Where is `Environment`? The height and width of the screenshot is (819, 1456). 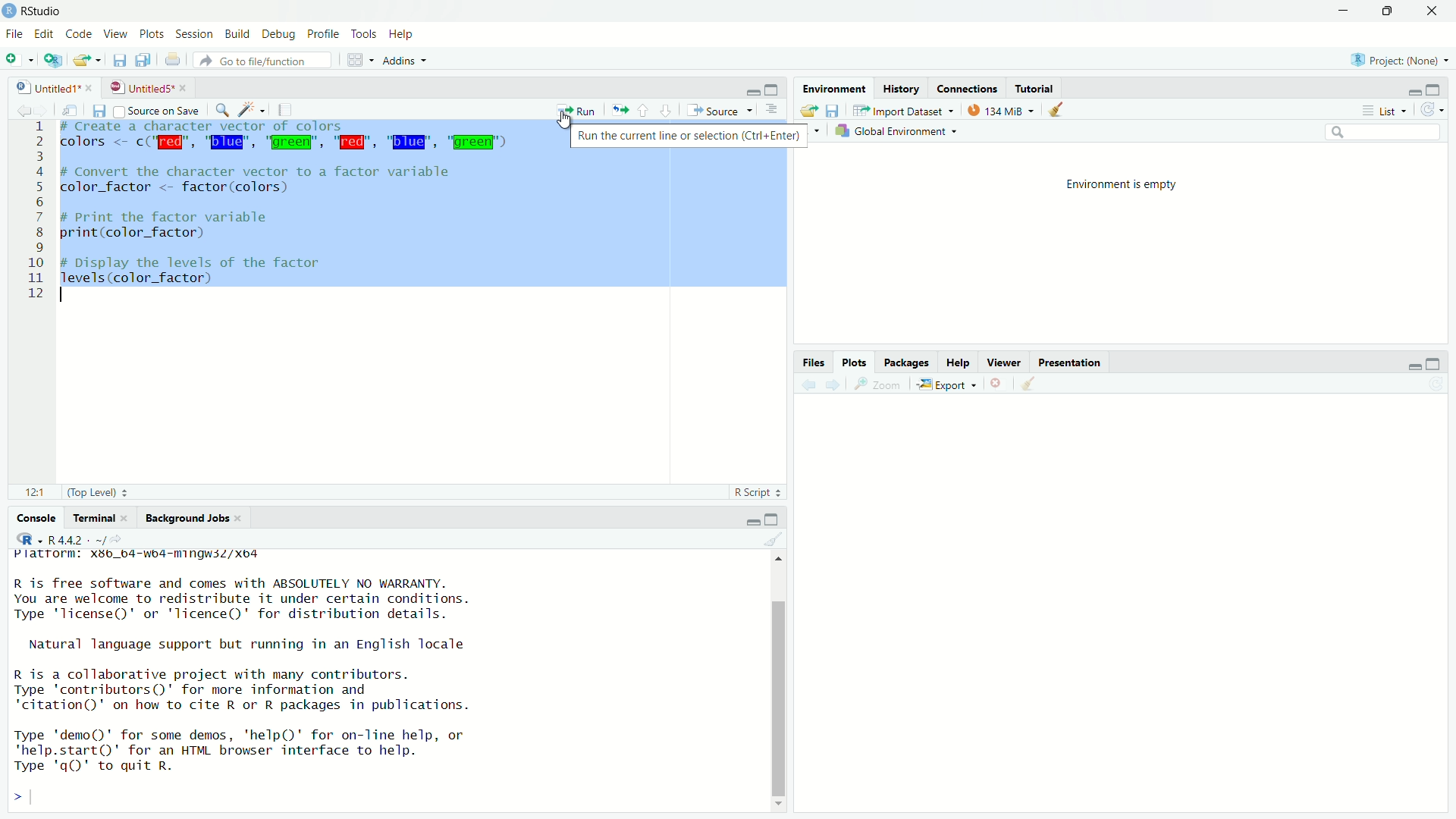
Environment is located at coordinates (836, 87).